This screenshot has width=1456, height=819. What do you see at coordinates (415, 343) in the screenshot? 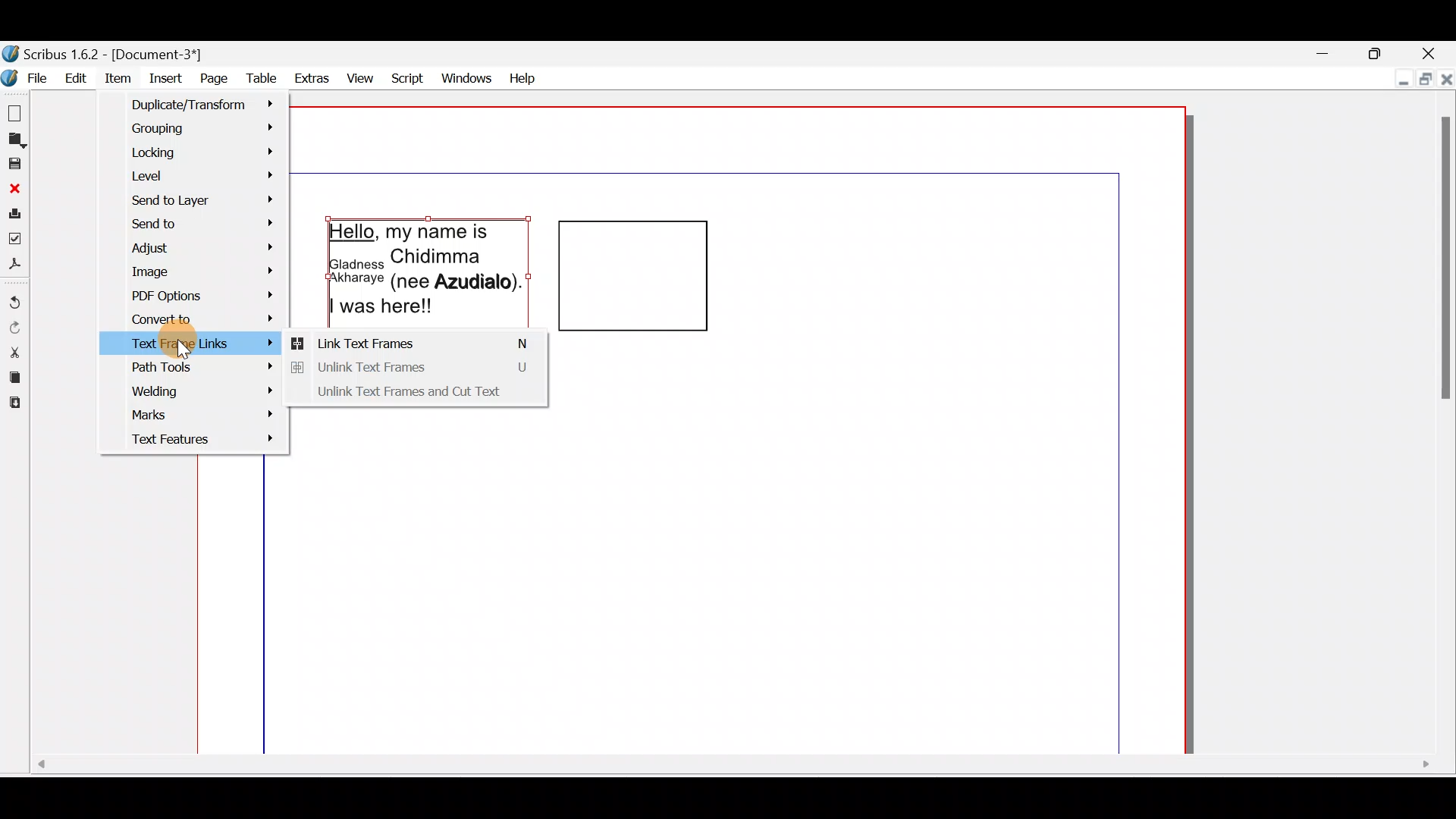
I see `Link text frames` at bounding box center [415, 343].